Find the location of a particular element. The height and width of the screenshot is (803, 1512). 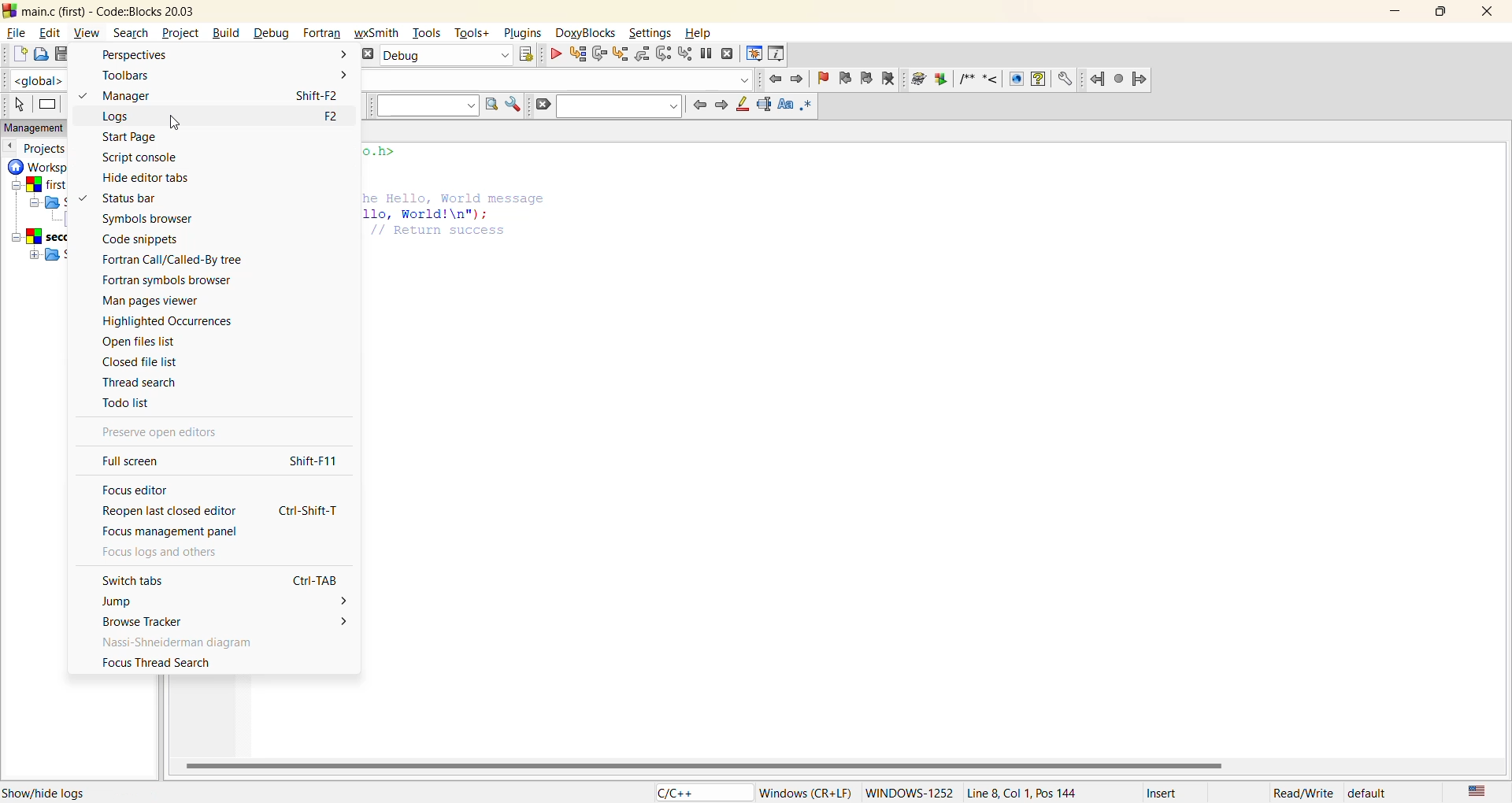

open files list is located at coordinates (146, 342).